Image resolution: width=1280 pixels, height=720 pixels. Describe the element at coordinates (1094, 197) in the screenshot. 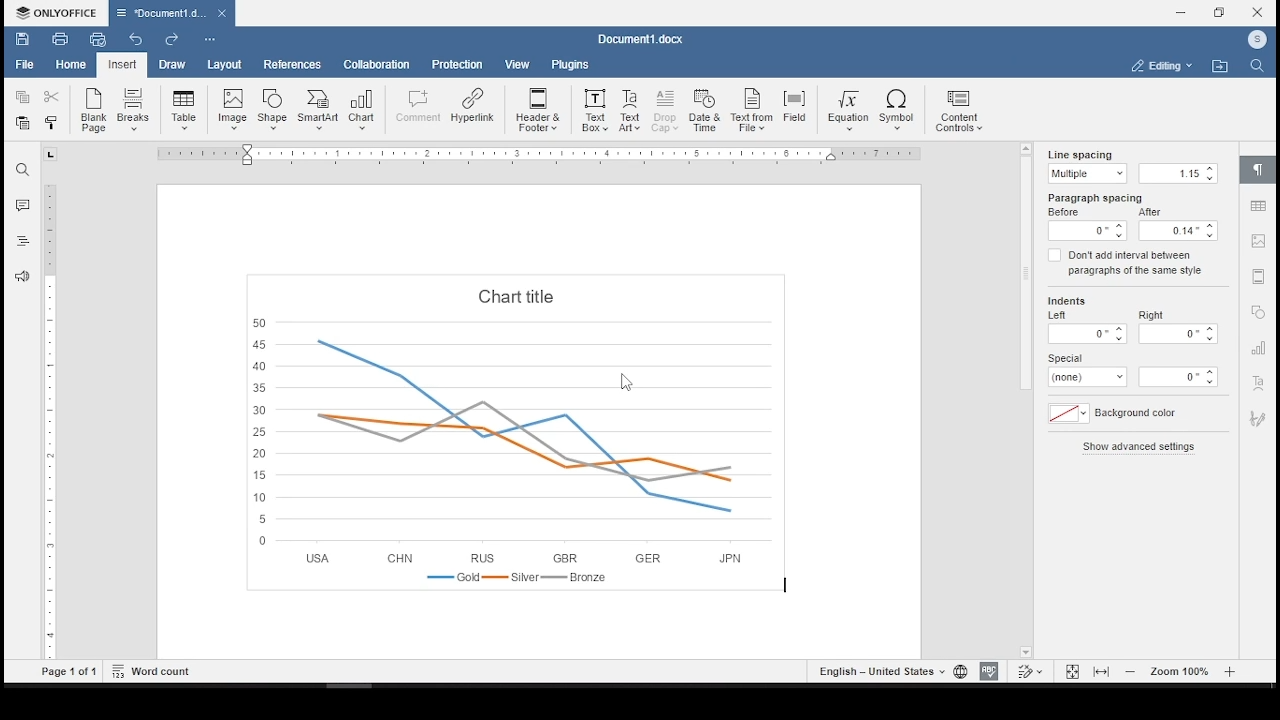

I see `paragraph spacing` at that location.